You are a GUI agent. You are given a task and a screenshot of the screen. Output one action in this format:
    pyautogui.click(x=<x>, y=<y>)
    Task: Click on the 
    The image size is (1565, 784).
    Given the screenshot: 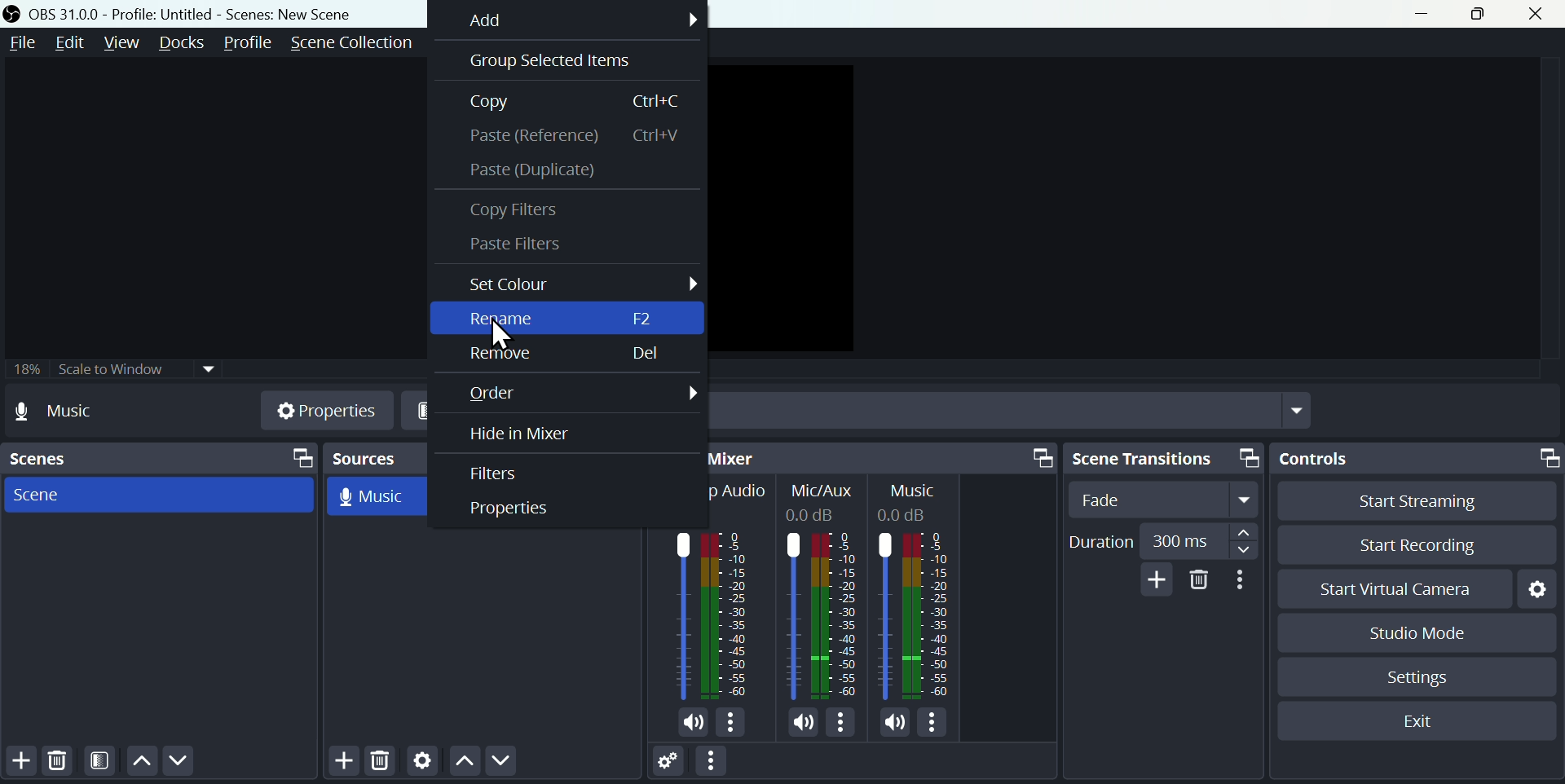 What is the action you would take?
    pyautogui.click(x=821, y=491)
    